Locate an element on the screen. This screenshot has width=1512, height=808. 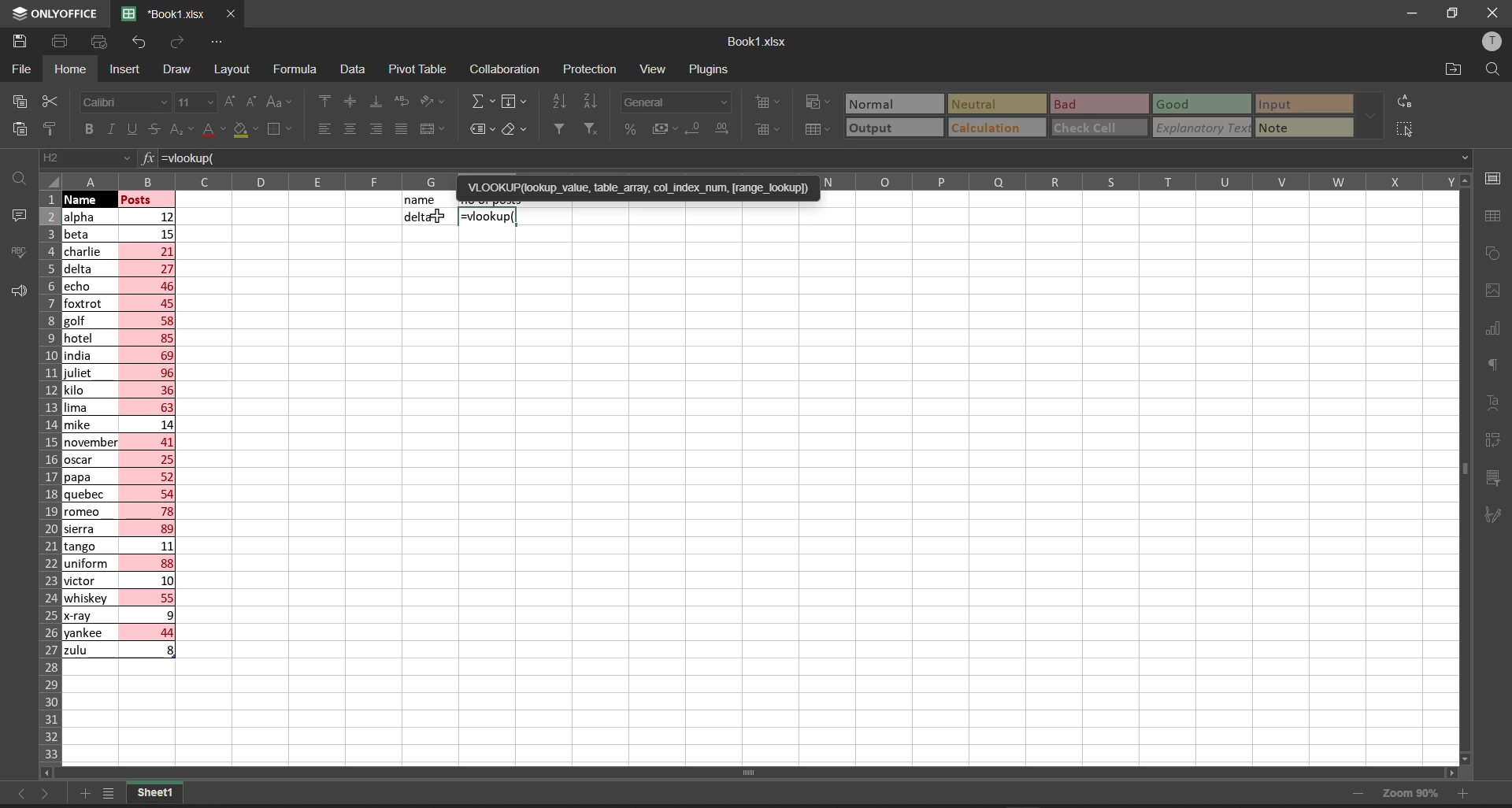
select all is located at coordinates (50, 180).